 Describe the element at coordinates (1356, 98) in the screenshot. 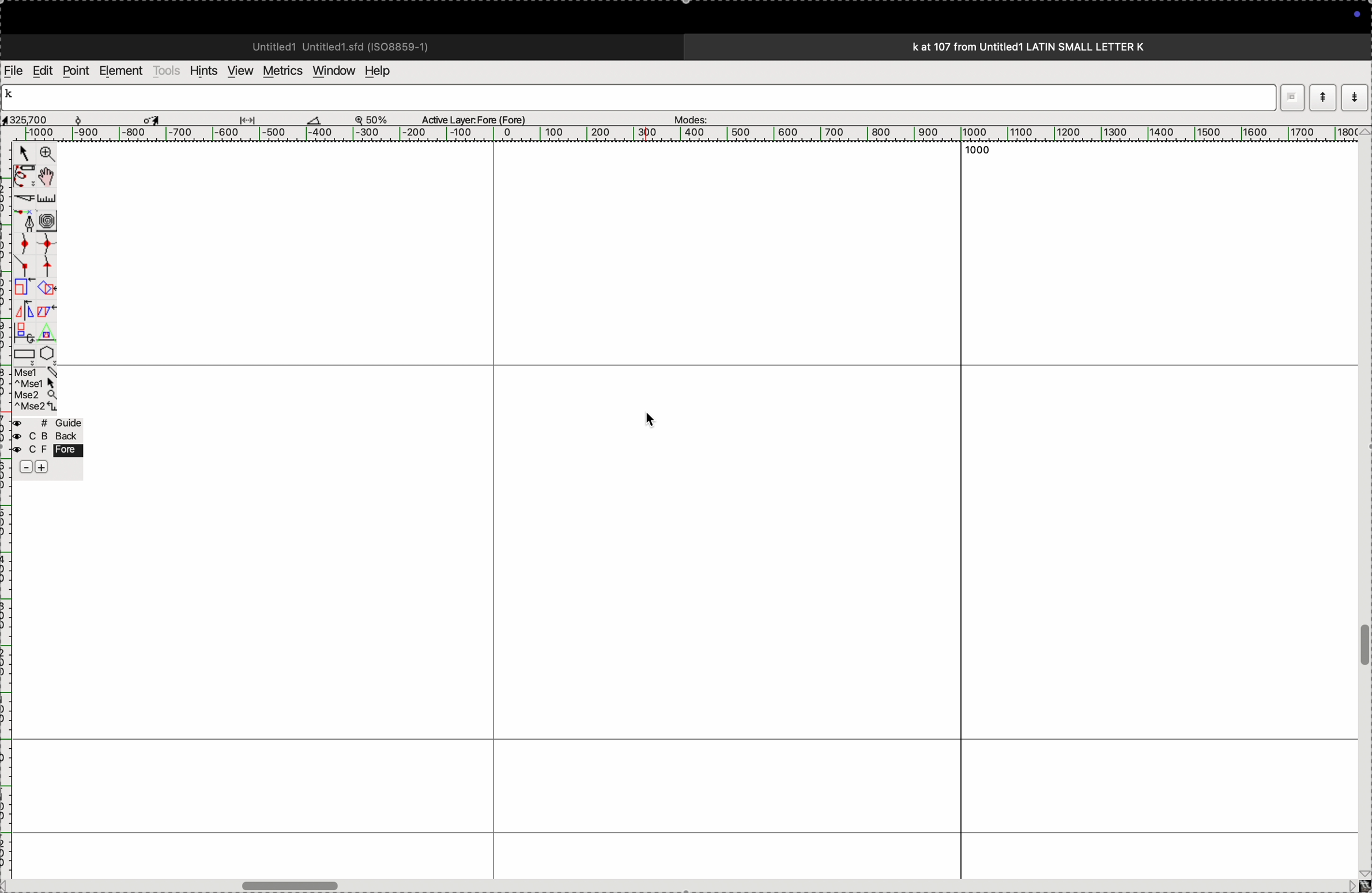

I see `mode down` at that location.